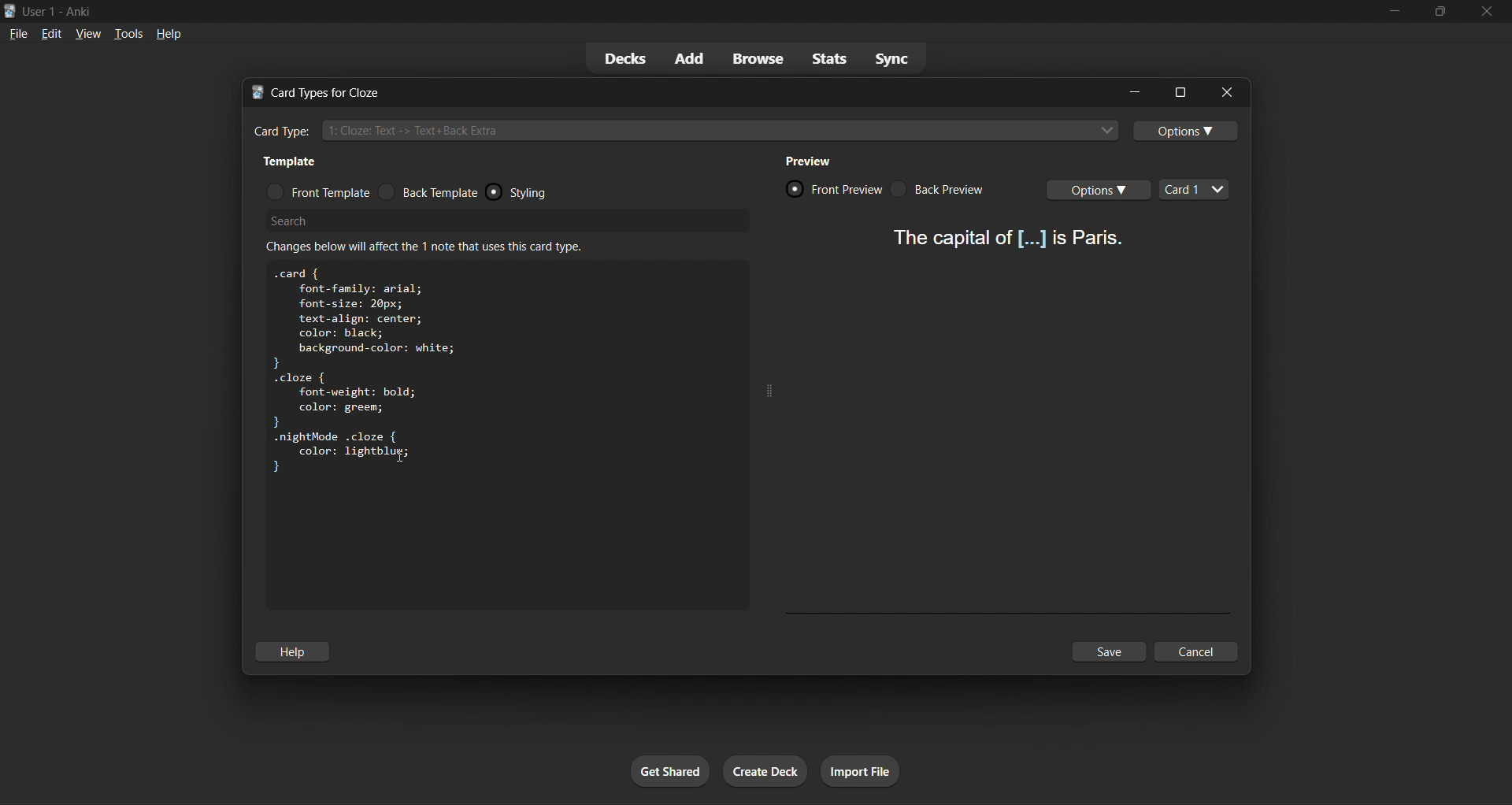 The height and width of the screenshot is (805, 1512). I want to click on maximize, so click(1440, 13).